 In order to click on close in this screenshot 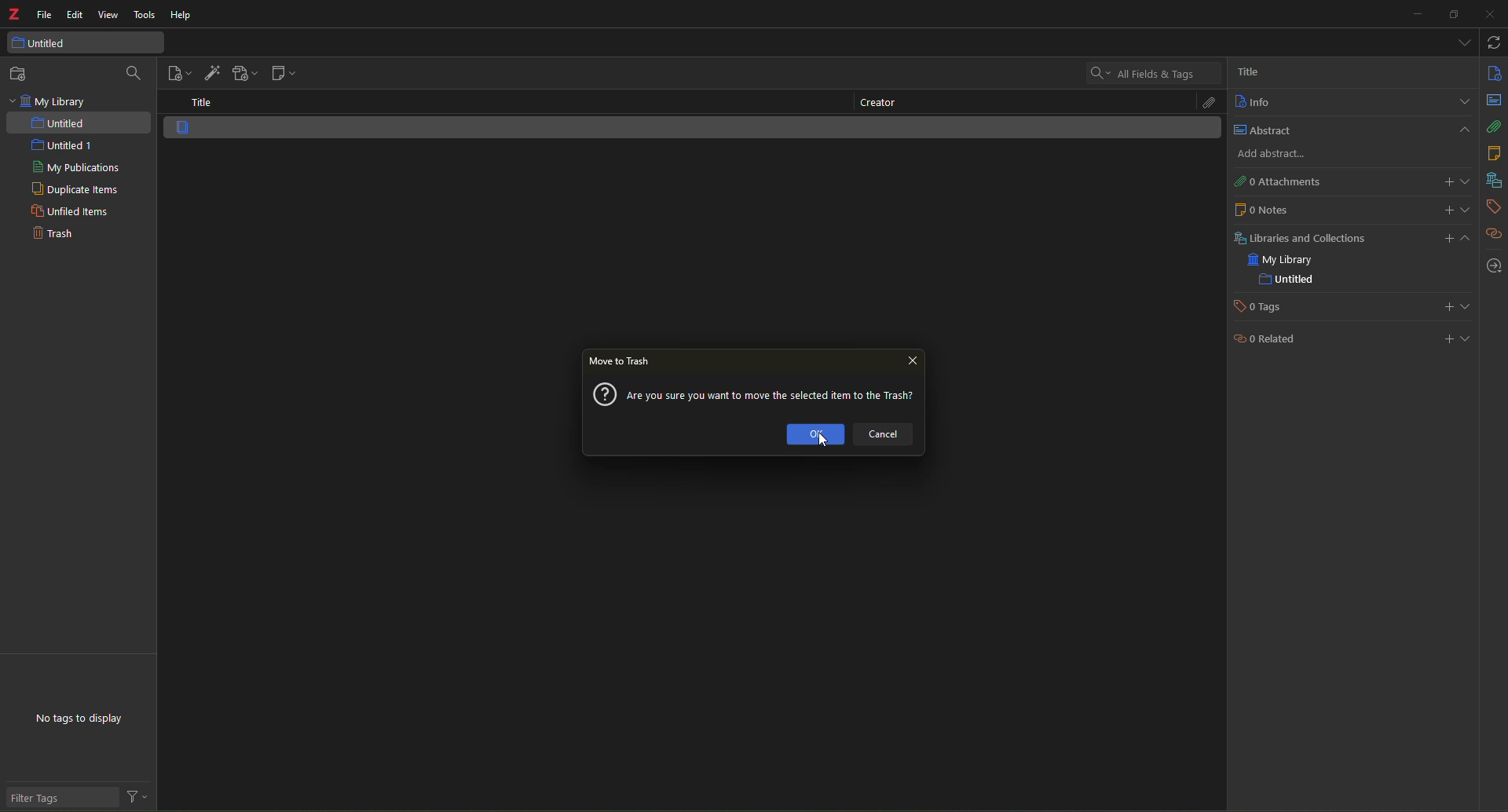, I will do `click(915, 362)`.